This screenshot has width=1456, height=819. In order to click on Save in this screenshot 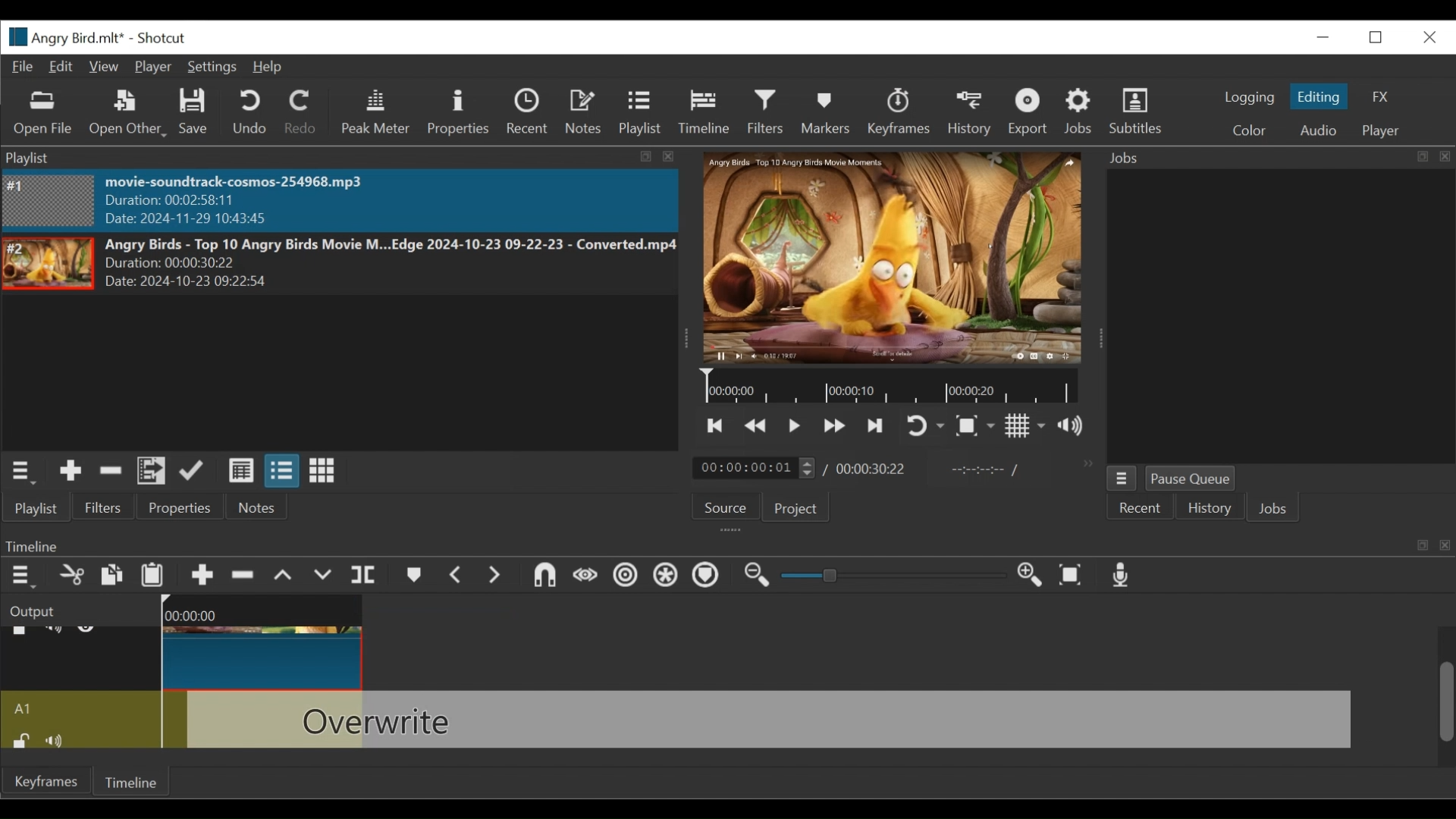, I will do `click(196, 113)`.